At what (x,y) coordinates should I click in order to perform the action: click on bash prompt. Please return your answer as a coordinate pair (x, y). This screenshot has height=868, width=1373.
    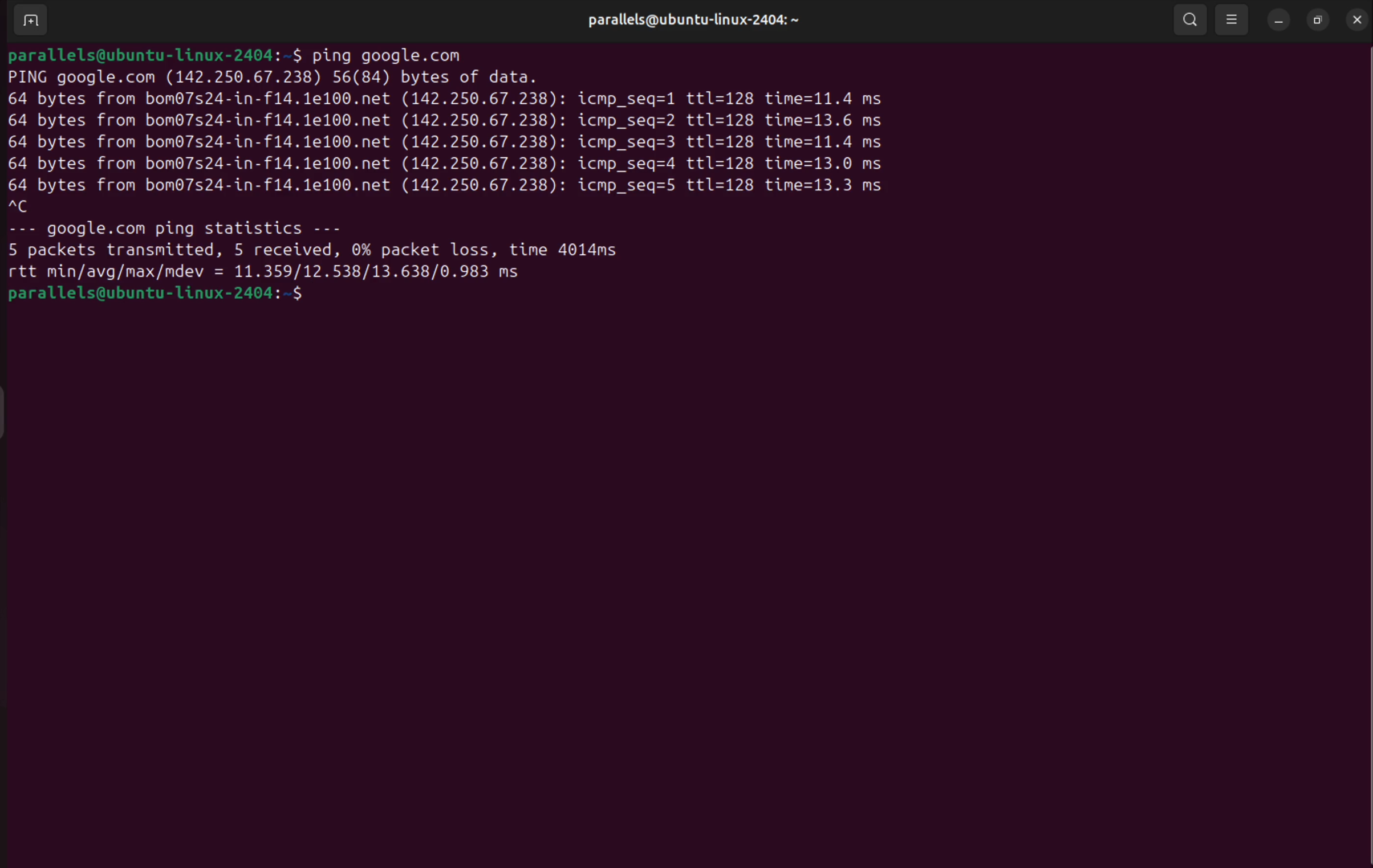
    Looking at the image, I should click on (152, 54).